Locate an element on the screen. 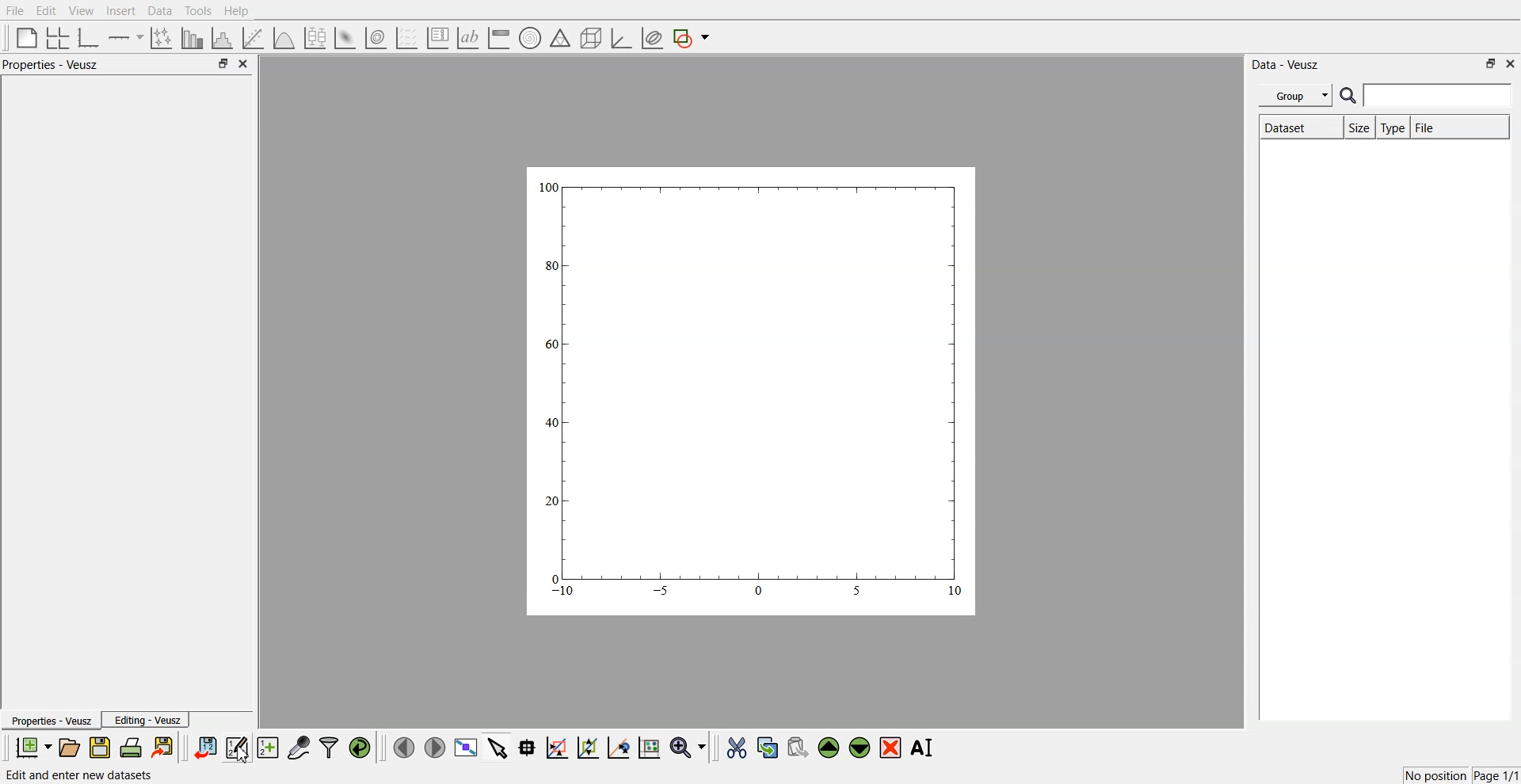 The width and height of the screenshot is (1521, 784). Insert is located at coordinates (119, 11).